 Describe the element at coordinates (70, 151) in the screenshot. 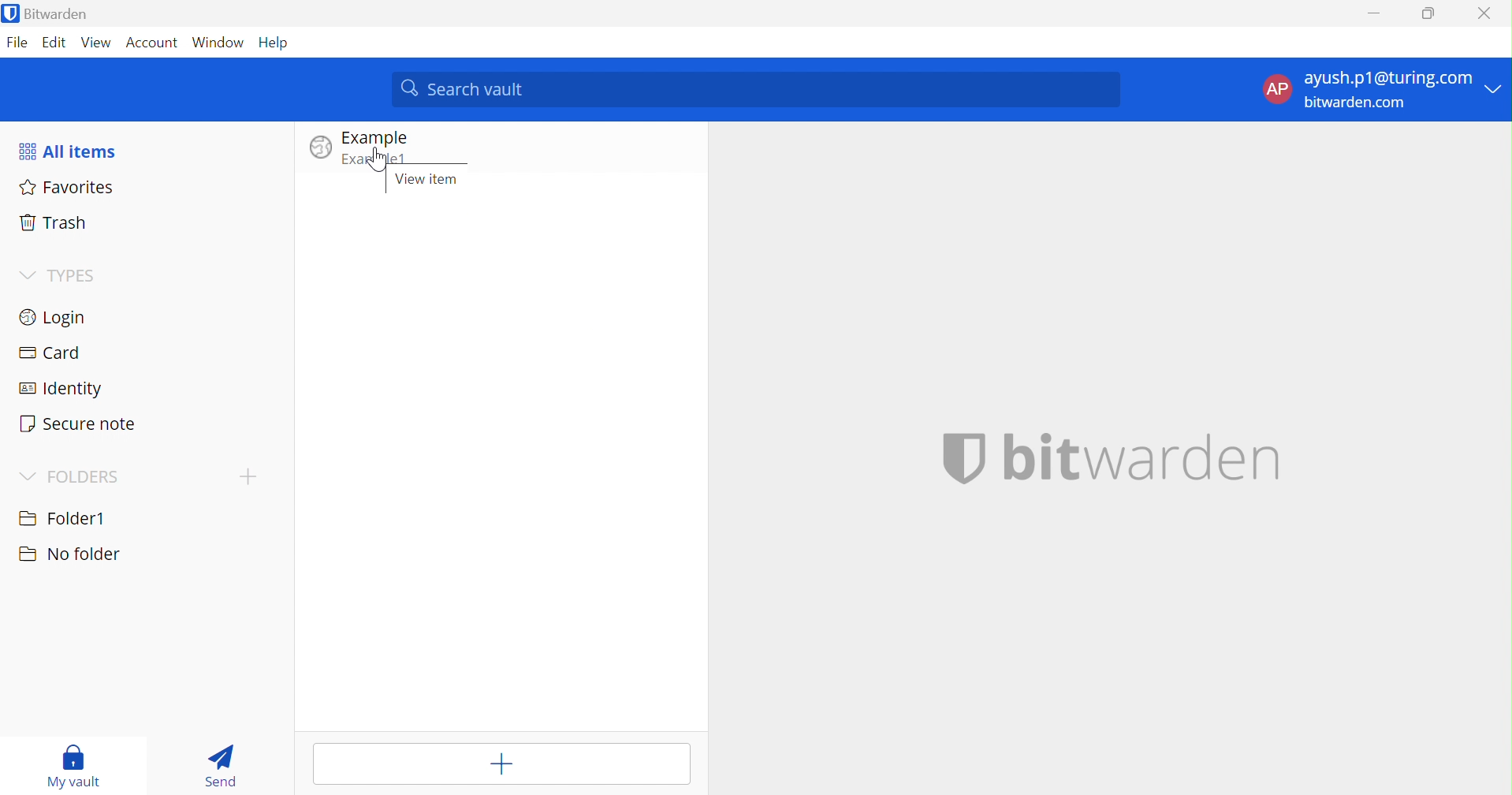

I see `All items` at that location.